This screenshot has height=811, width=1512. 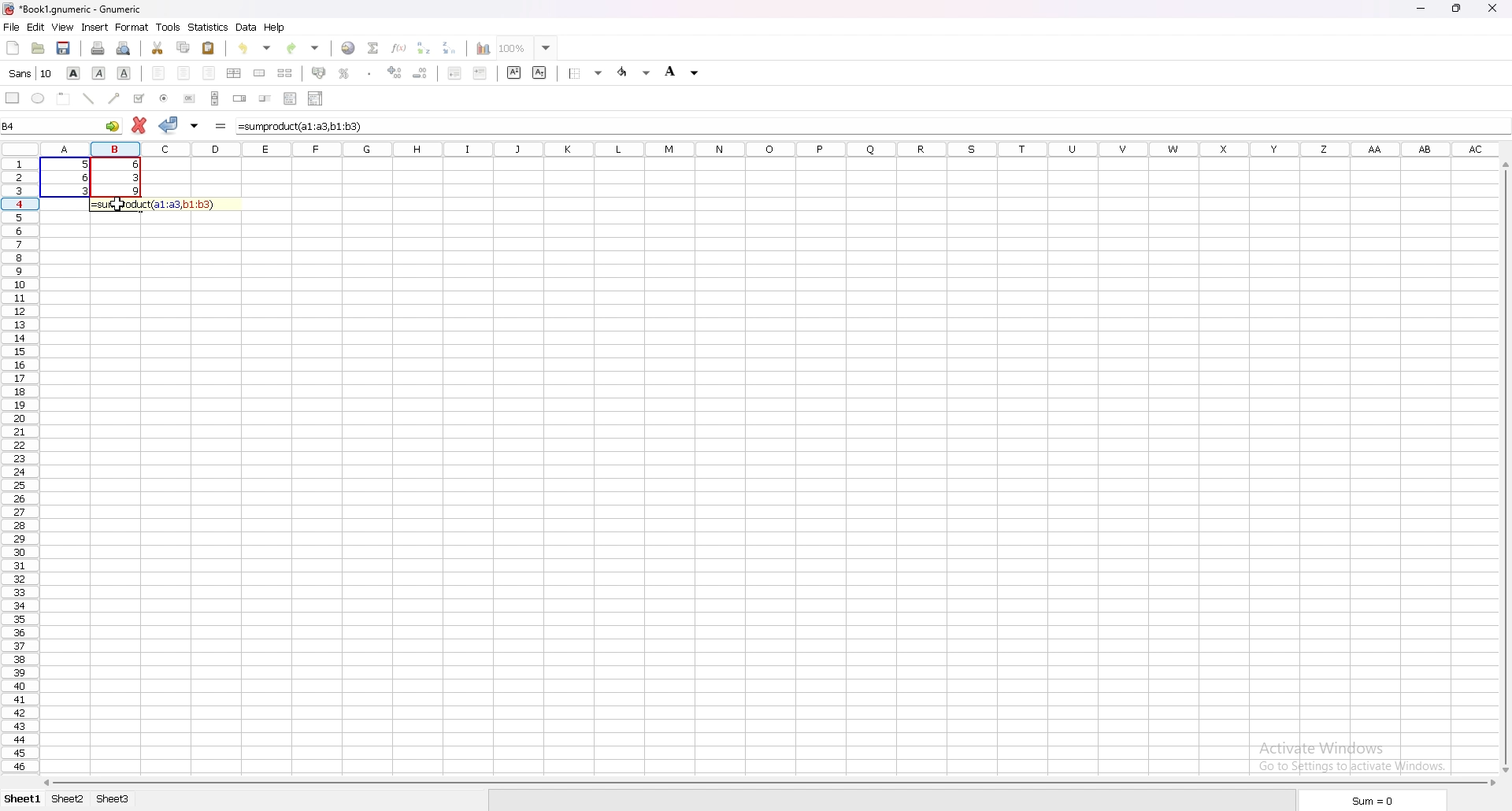 What do you see at coordinates (284, 73) in the screenshot?
I see `split merged cell` at bounding box center [284, 73].